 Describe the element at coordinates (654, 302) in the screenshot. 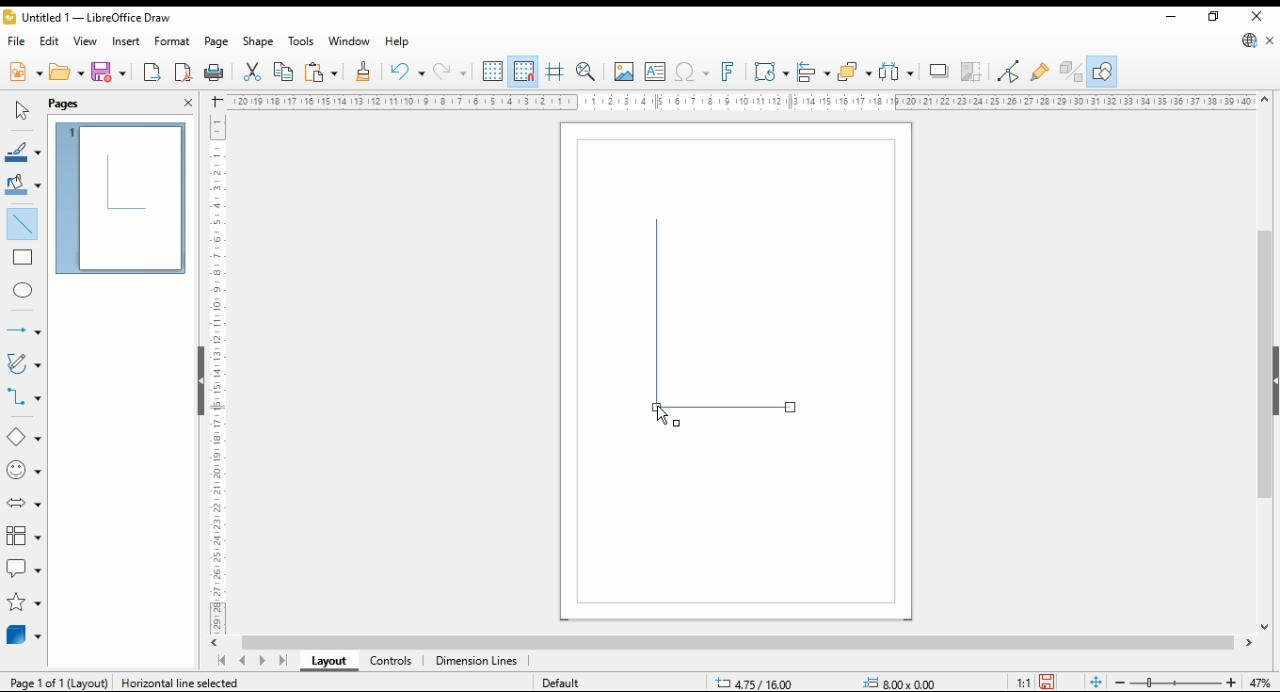

I see `new shape` at that location.